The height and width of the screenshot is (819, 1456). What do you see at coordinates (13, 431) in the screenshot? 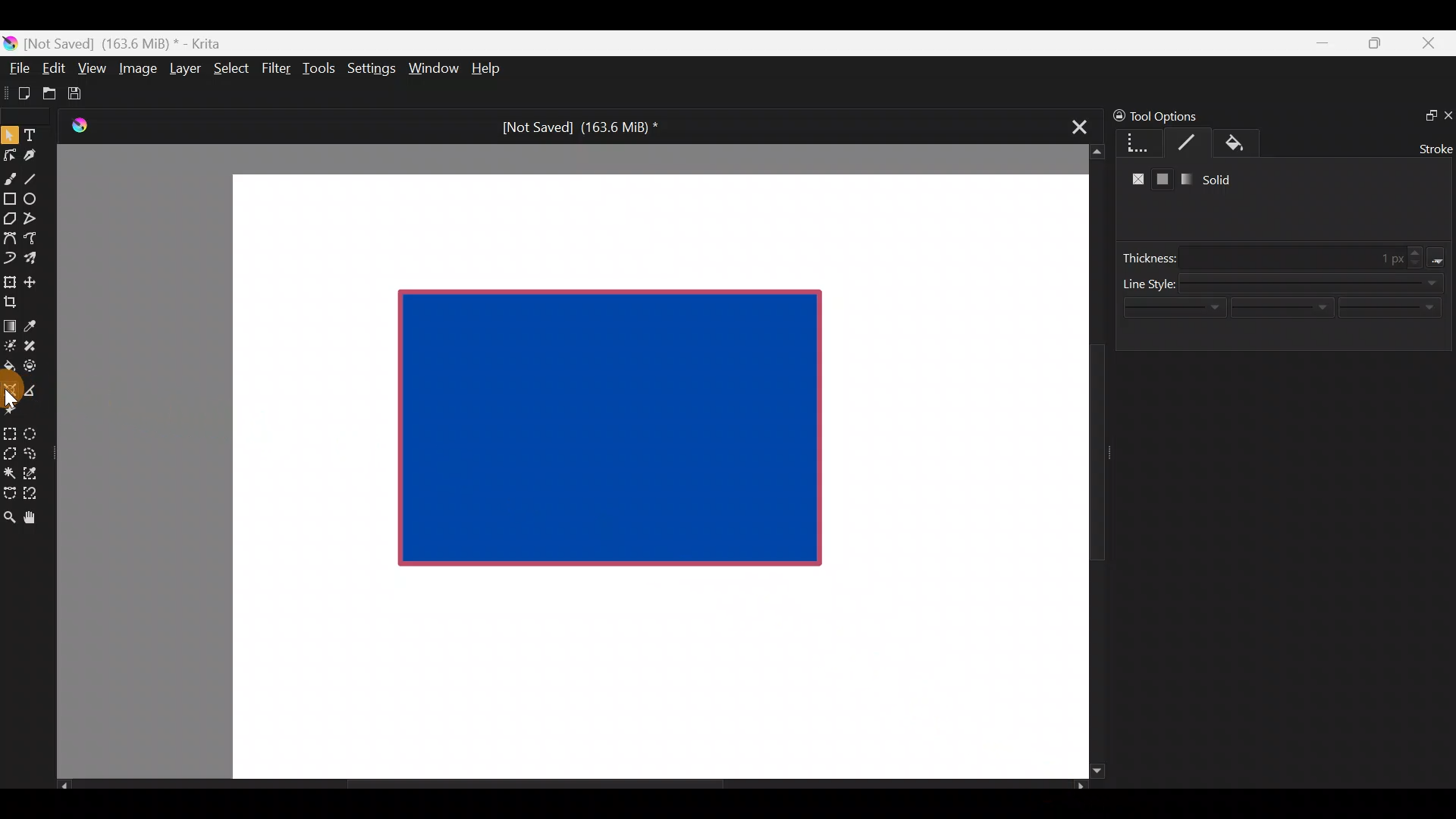
I see `Rectangular selection tool` at bounding box center [13, 431].